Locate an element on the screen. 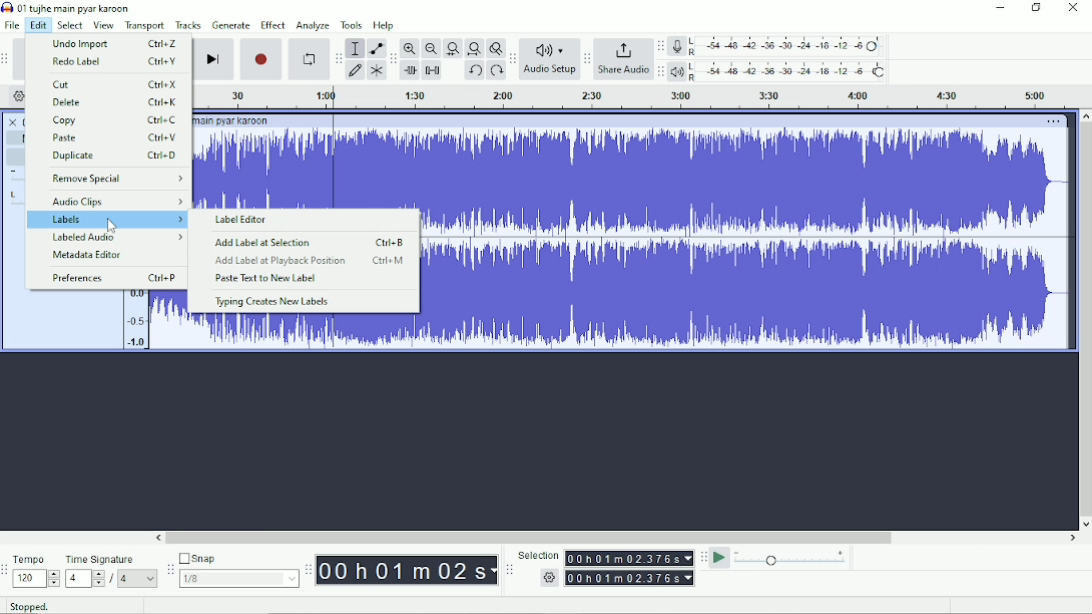  Redo is located at coordinates (496, 71).